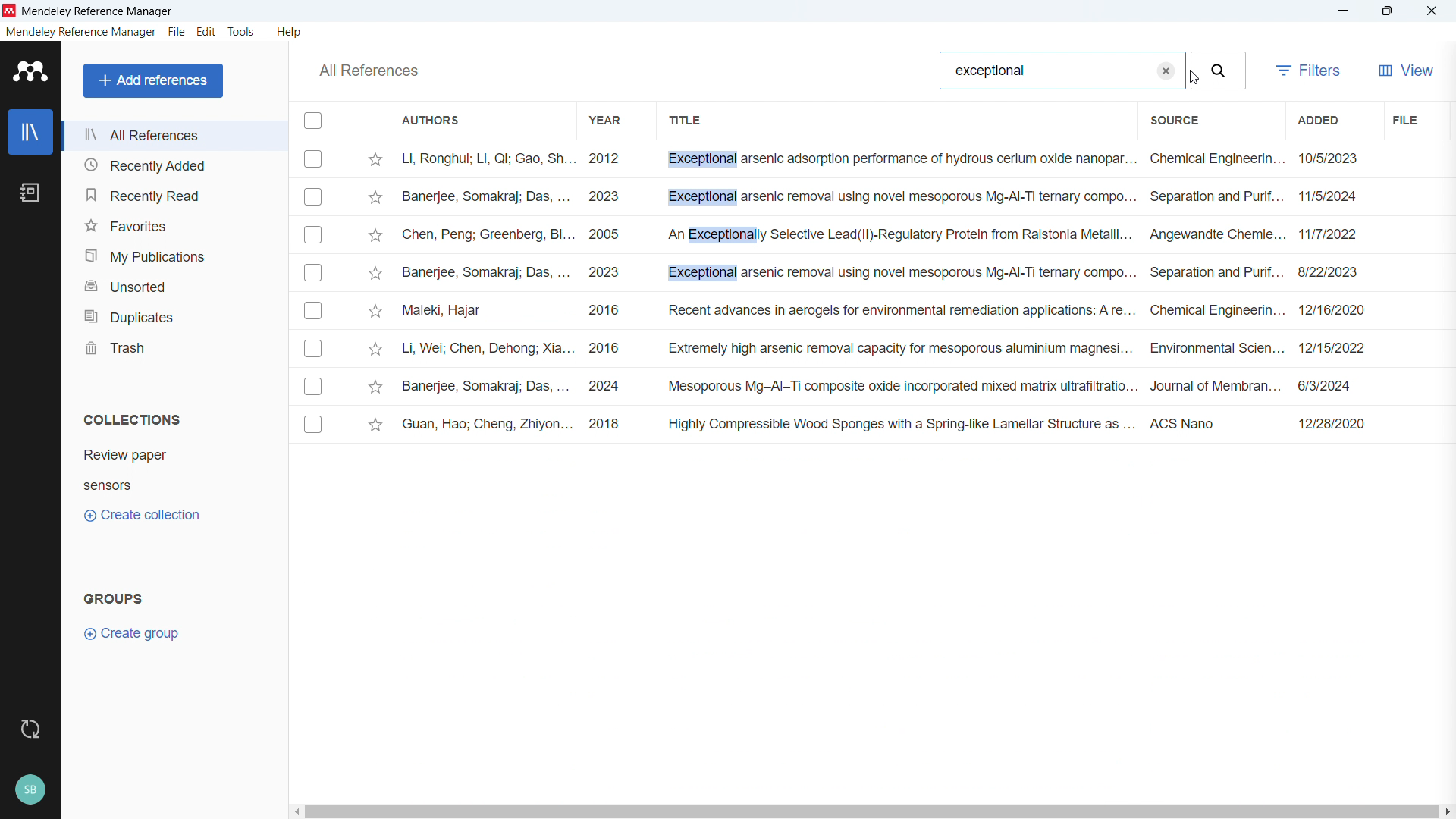  What do you see at coordinates (173, 315) in the screenshot?
I see `Duplicates ` at bounding box center [173, 315].